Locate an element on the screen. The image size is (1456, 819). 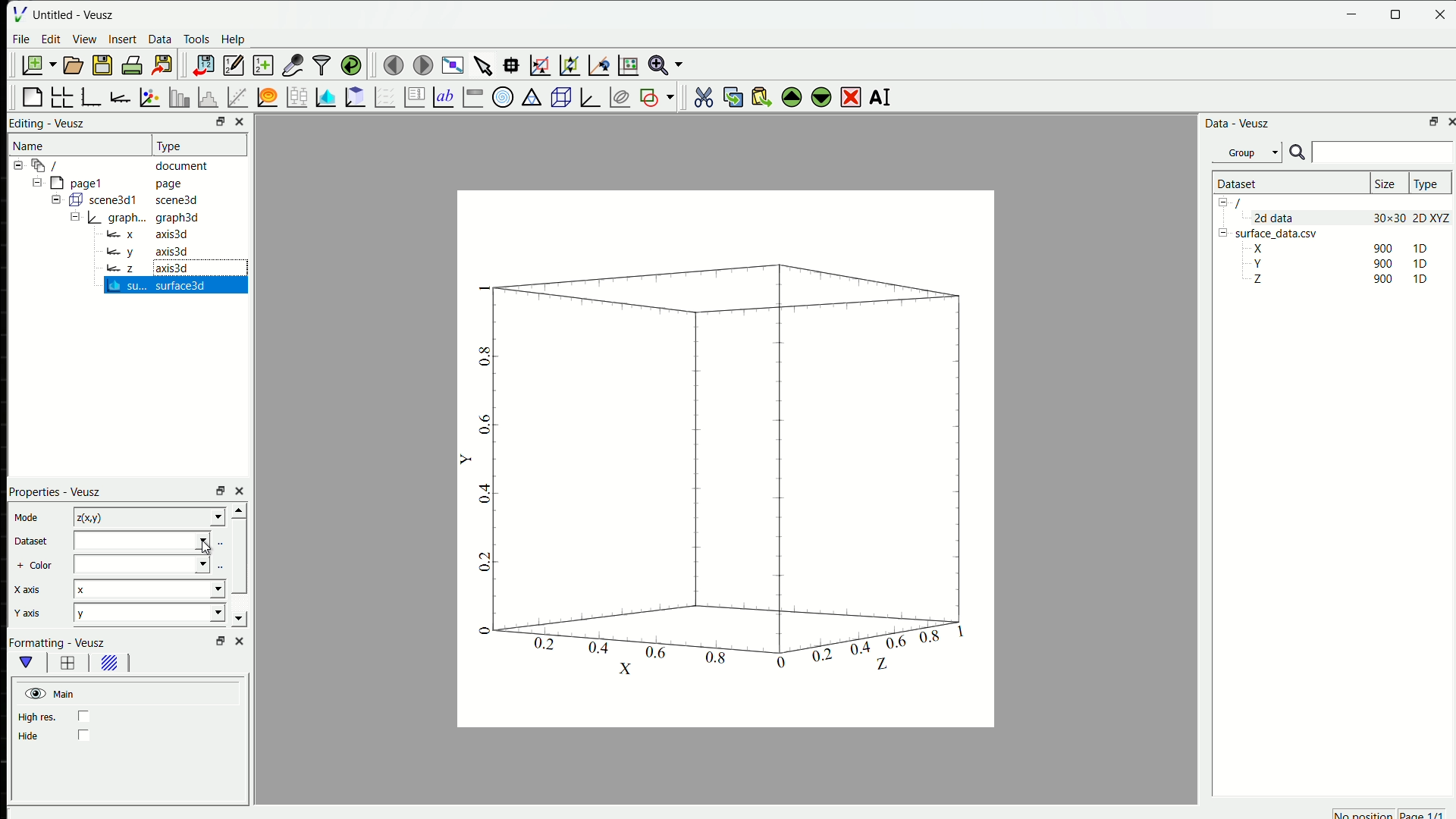
draw a rectangle to zoom graph axes is located at coordinates (541, 65).